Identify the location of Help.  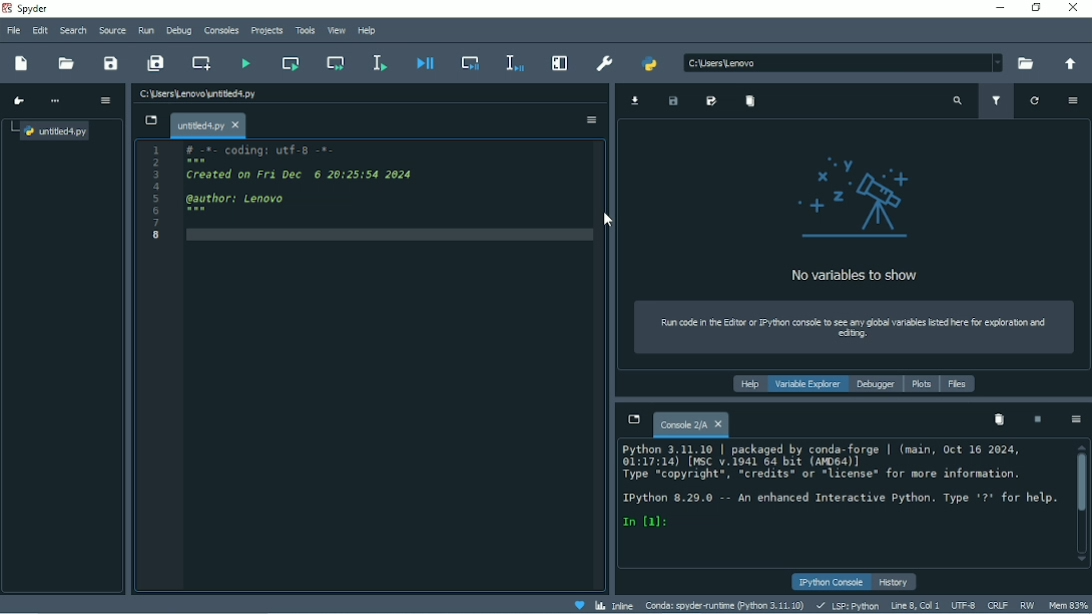
(368, 31).